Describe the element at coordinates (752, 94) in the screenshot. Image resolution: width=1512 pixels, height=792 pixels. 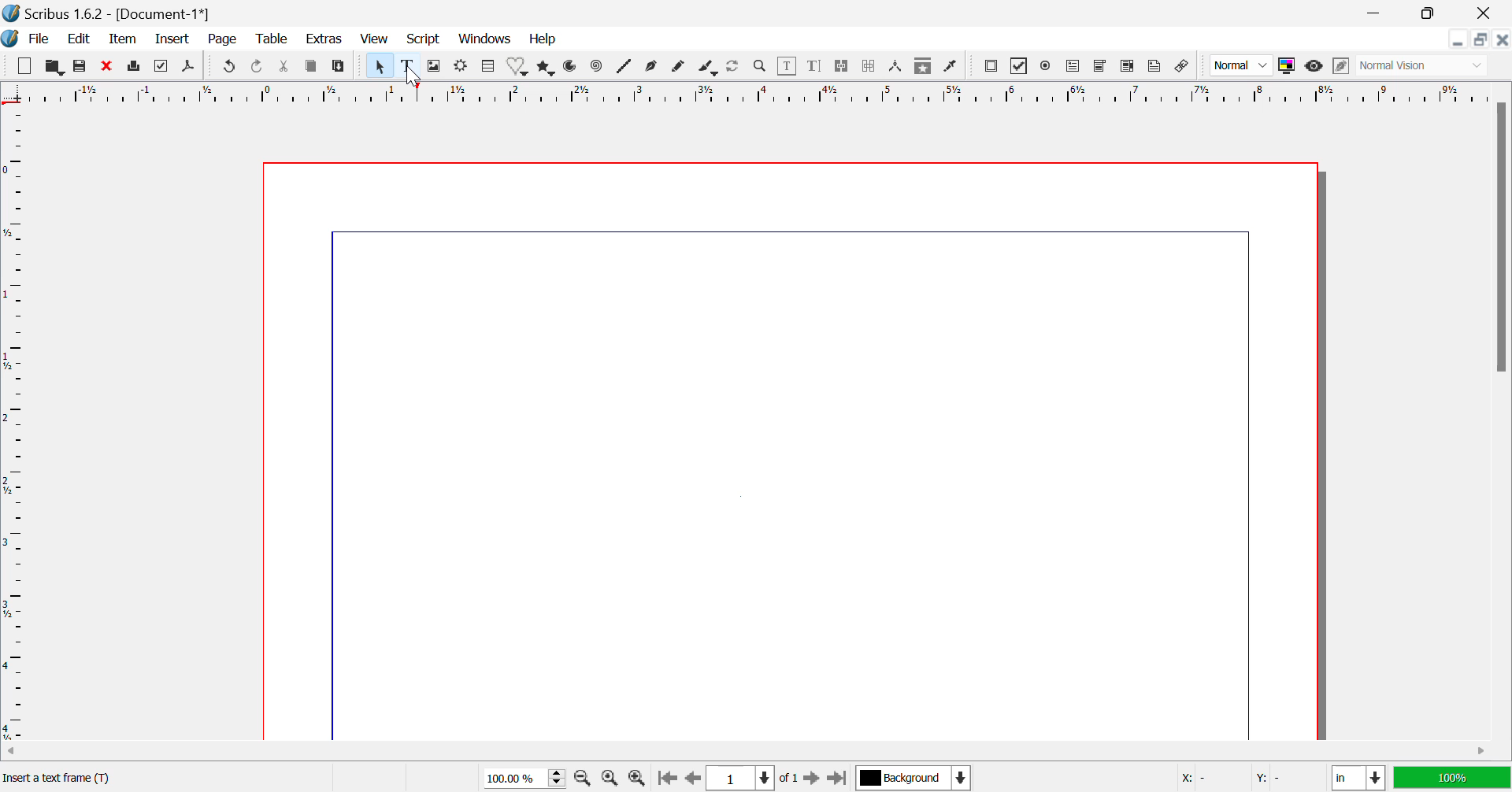
I see `Vertical Page Margins` at that location.